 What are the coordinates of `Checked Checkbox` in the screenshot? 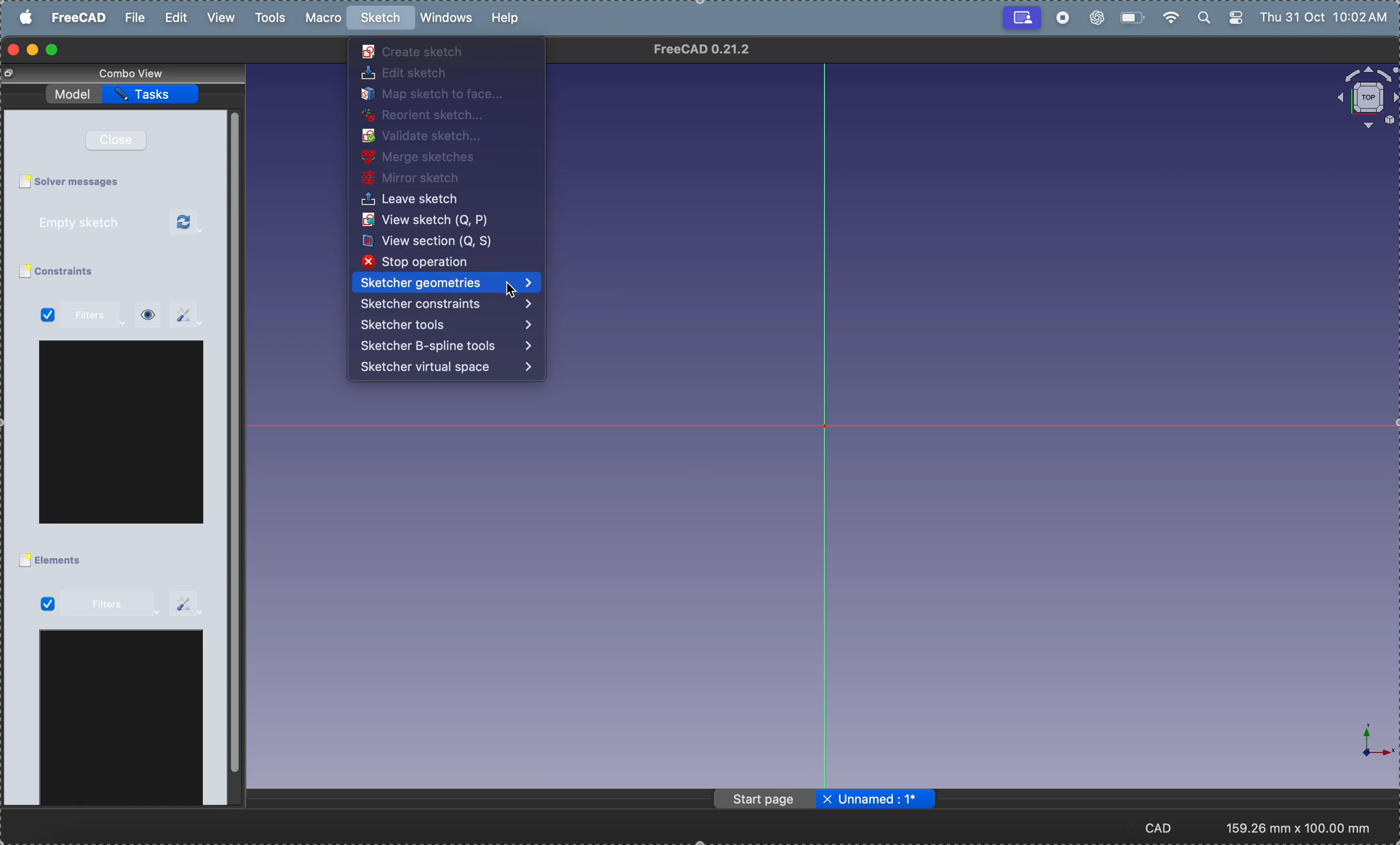 It's located at (48, 316).